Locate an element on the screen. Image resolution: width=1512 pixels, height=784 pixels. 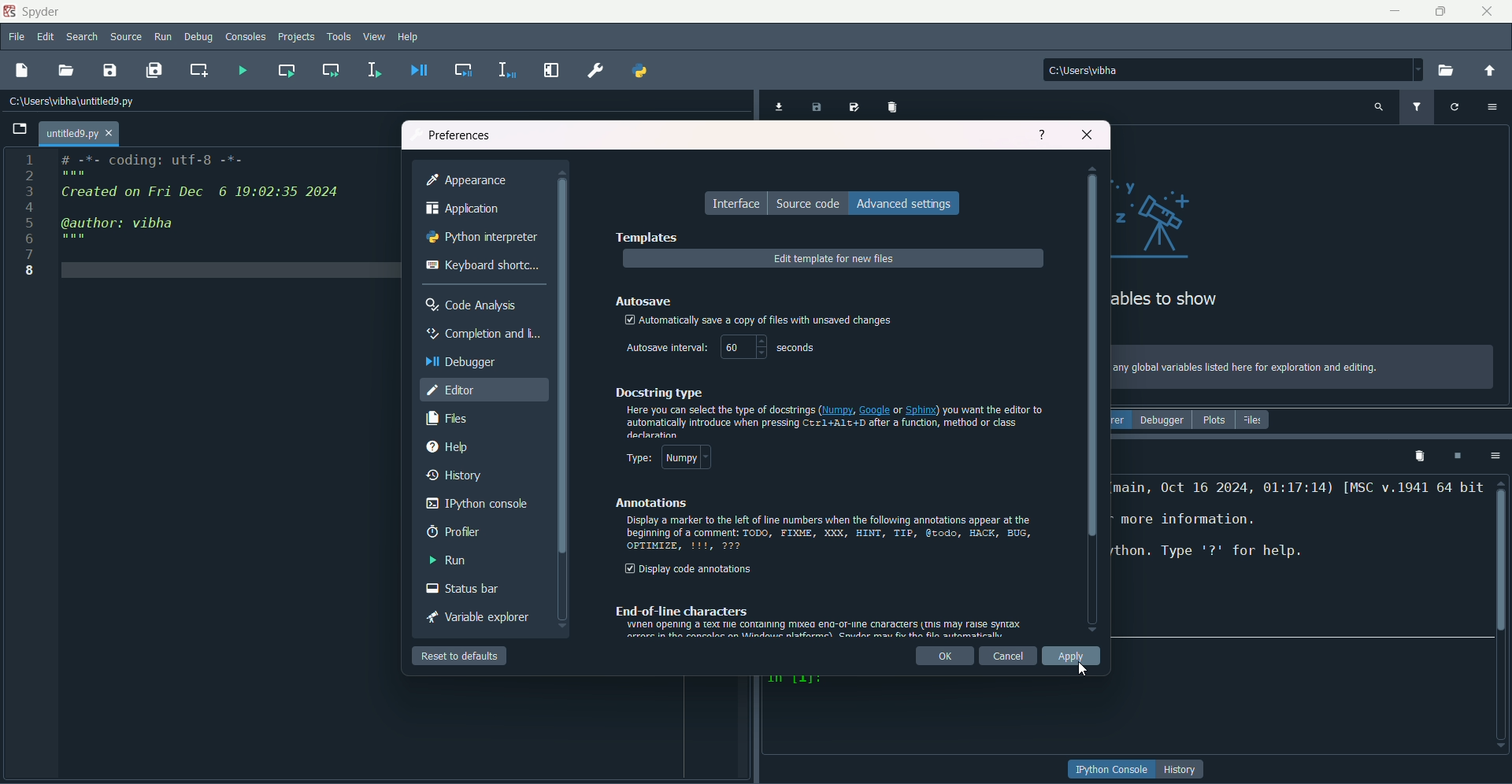
preferences is located at coordinates (594, 71).